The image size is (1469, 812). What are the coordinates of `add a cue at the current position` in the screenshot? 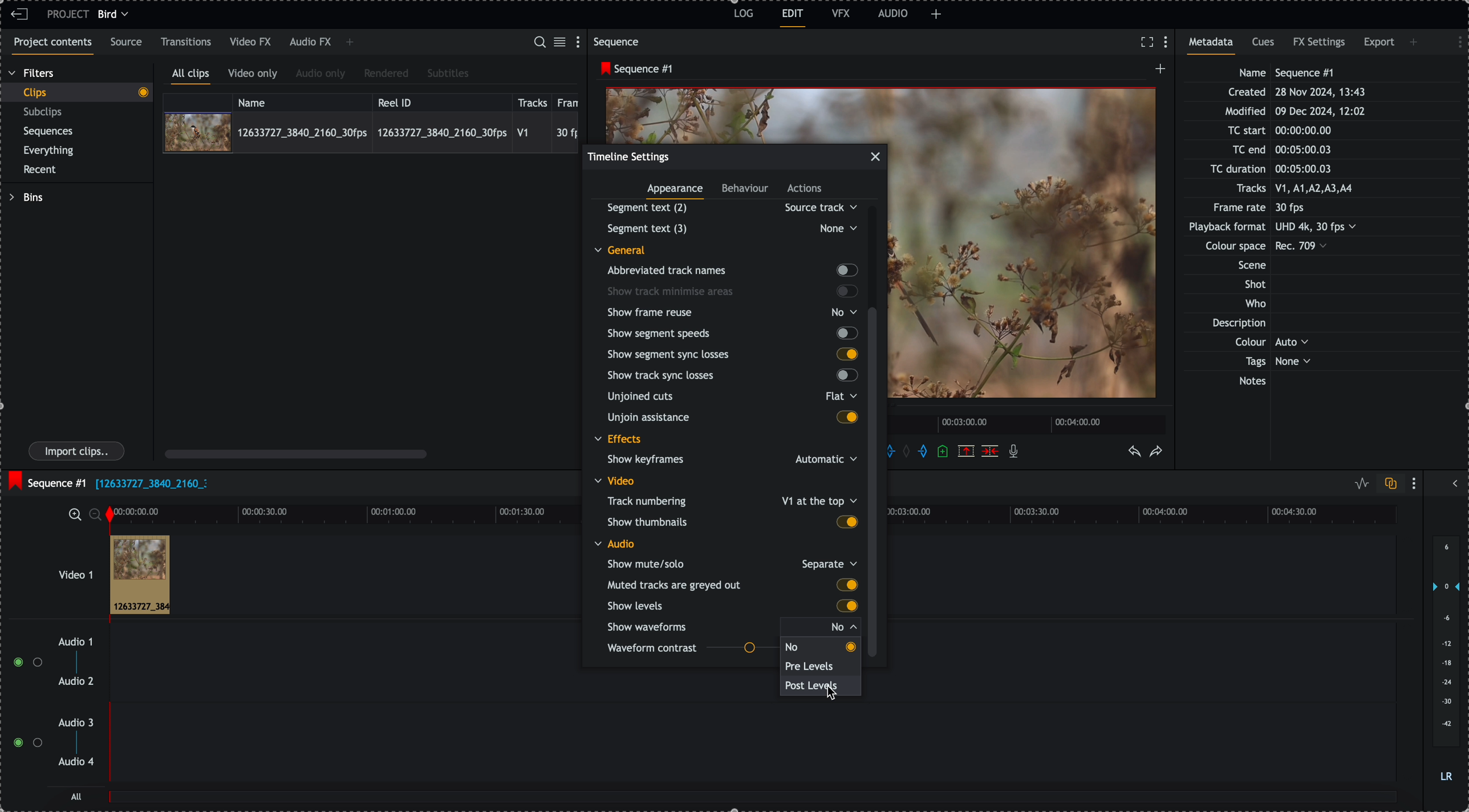 It's located at (944, 452).